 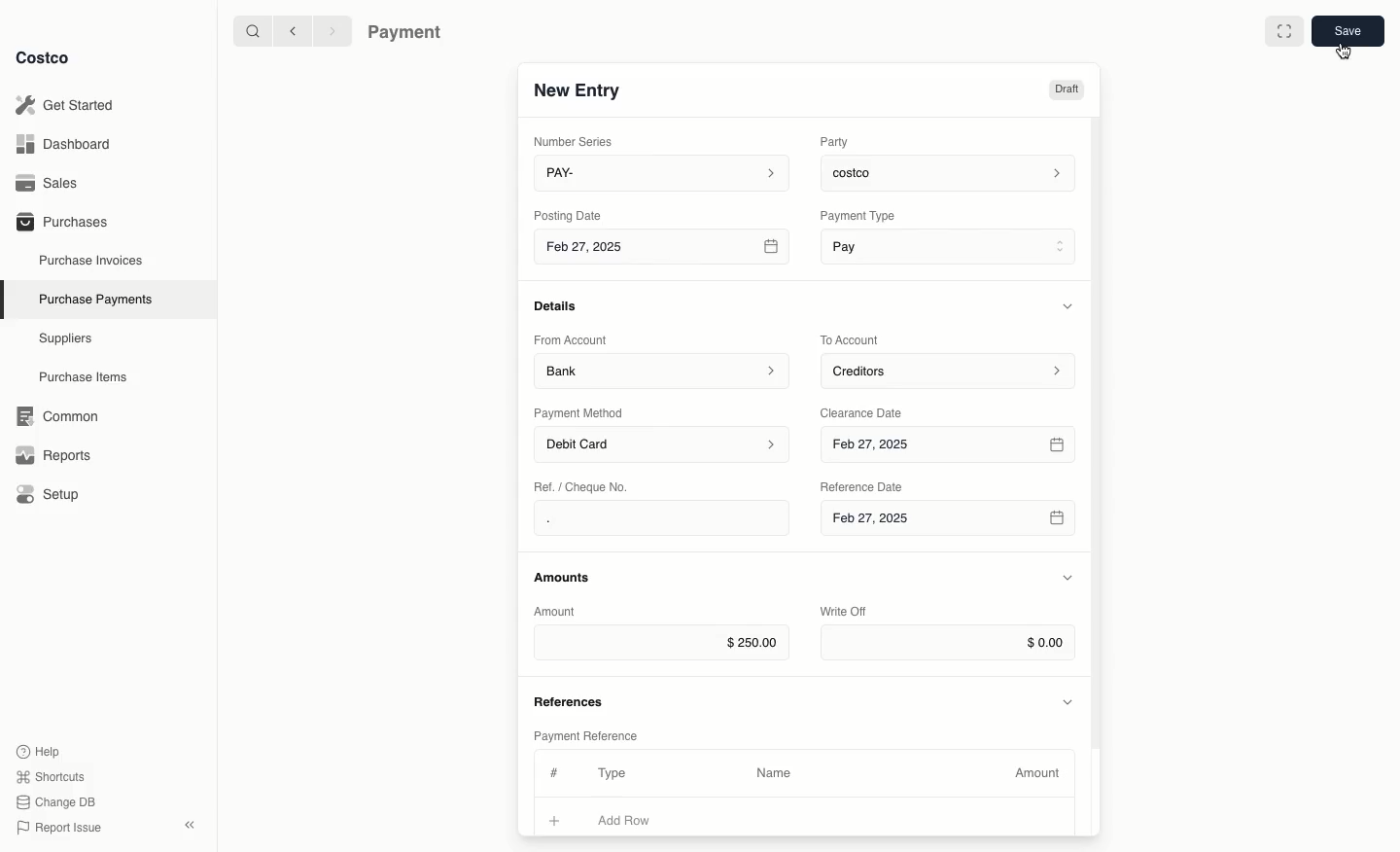 What do you see at coordinates (50, 775) in the screenshot?
I see `Shortcuts` at bounding box center [50, 775].